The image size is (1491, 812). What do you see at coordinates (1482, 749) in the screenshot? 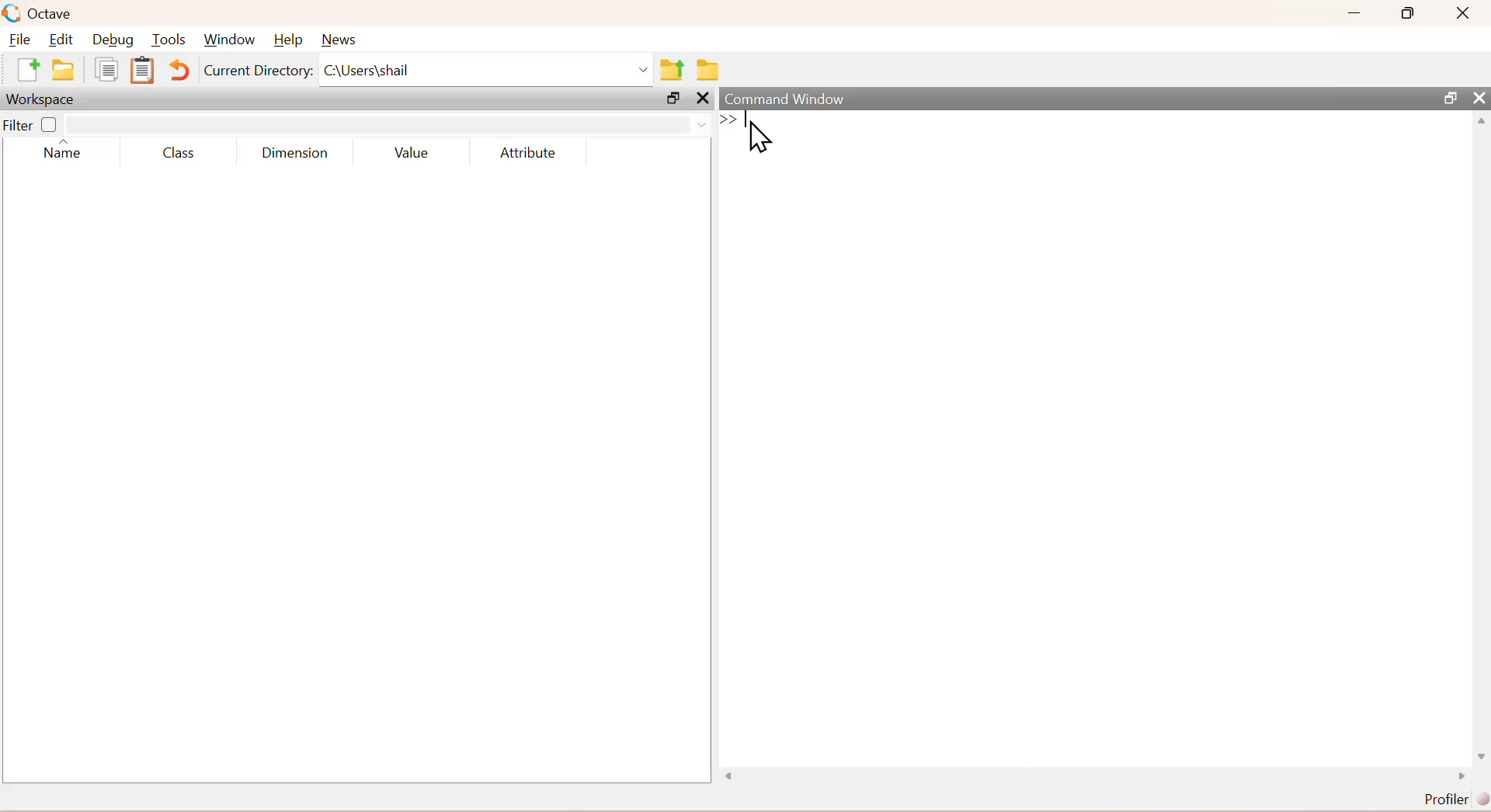
I see `Down` at bounding box center [1482, 749].